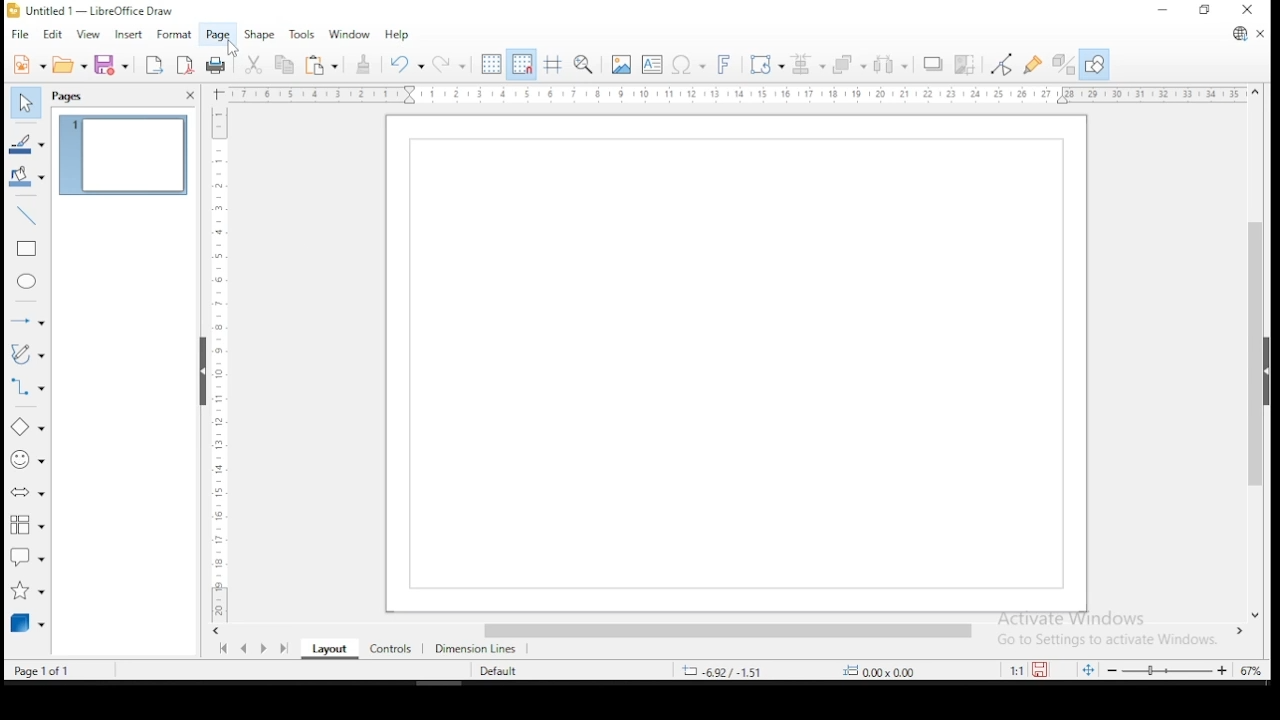 The image size is (1280, 720). I want to click on align objects, so click(806, 67).